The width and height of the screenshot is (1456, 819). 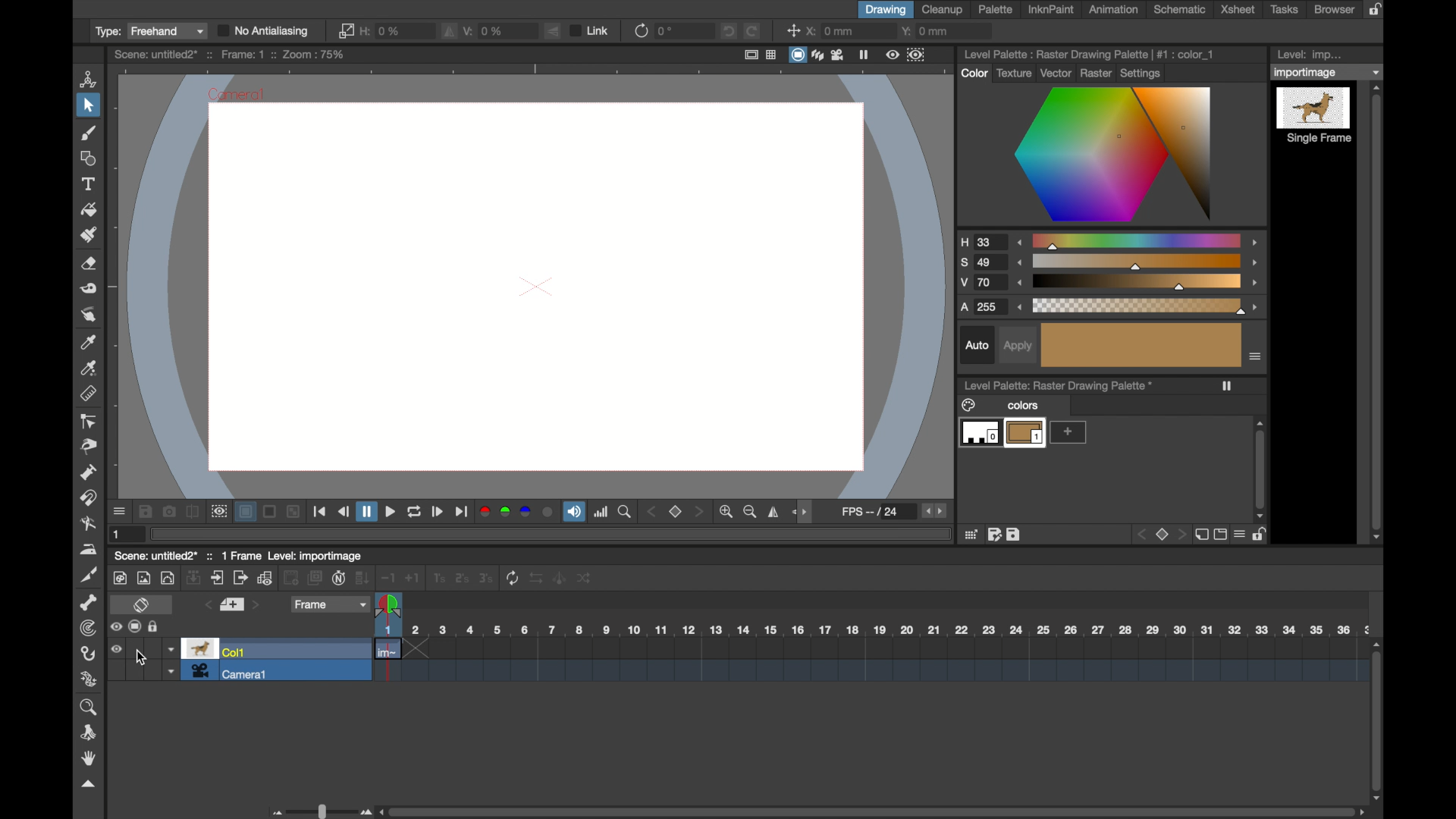 What do you see at coordinates (1159, 534) in the screenshot?
I see `stop` at bounding box center [1159, 534].